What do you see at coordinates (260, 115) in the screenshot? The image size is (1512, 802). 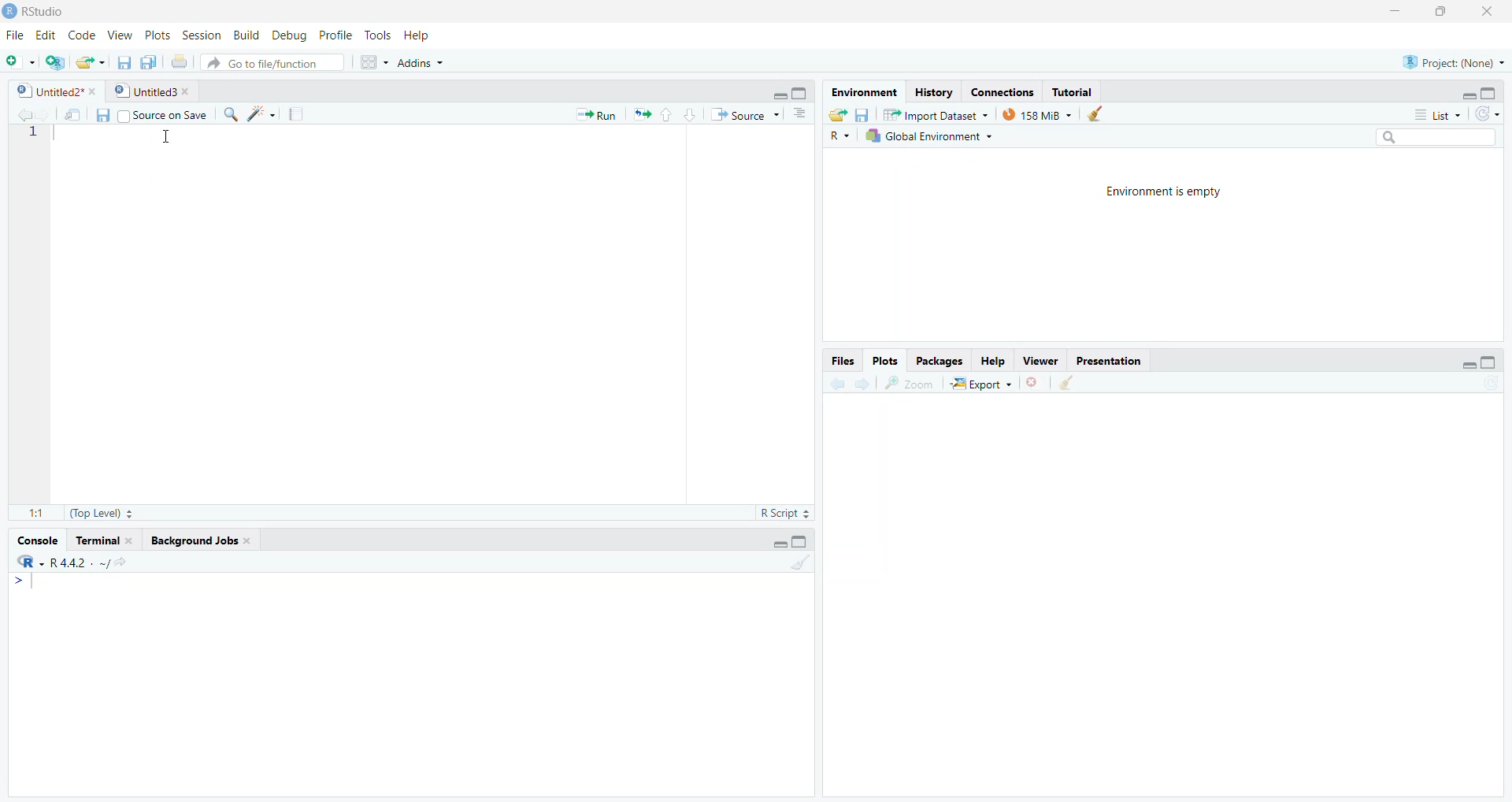 I see `Code tools` at bounding box center [260, 115].